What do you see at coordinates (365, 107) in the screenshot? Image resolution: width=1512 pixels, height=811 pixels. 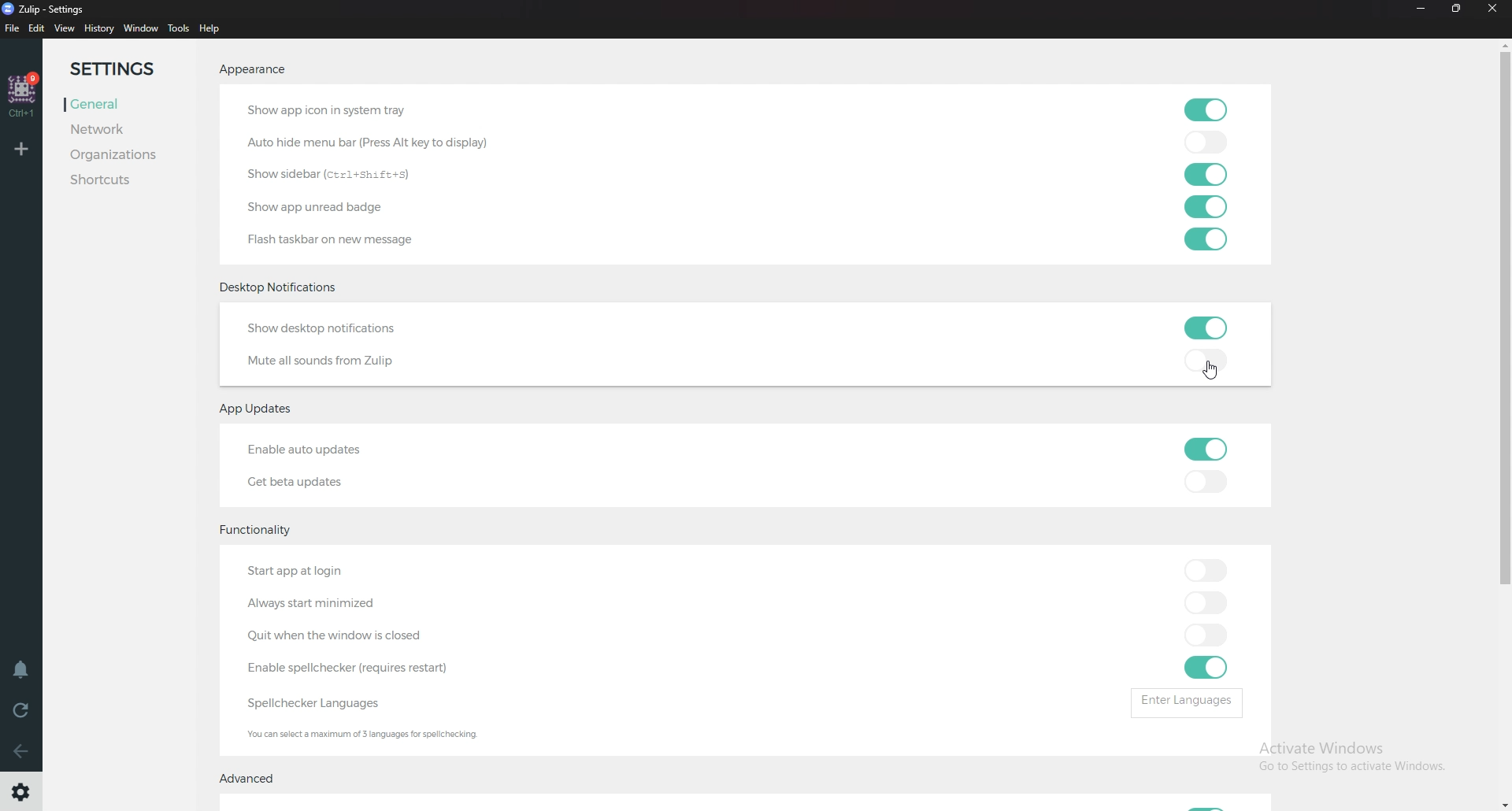 I see `Show app icon in system tray` at bounding box center [365, 107].